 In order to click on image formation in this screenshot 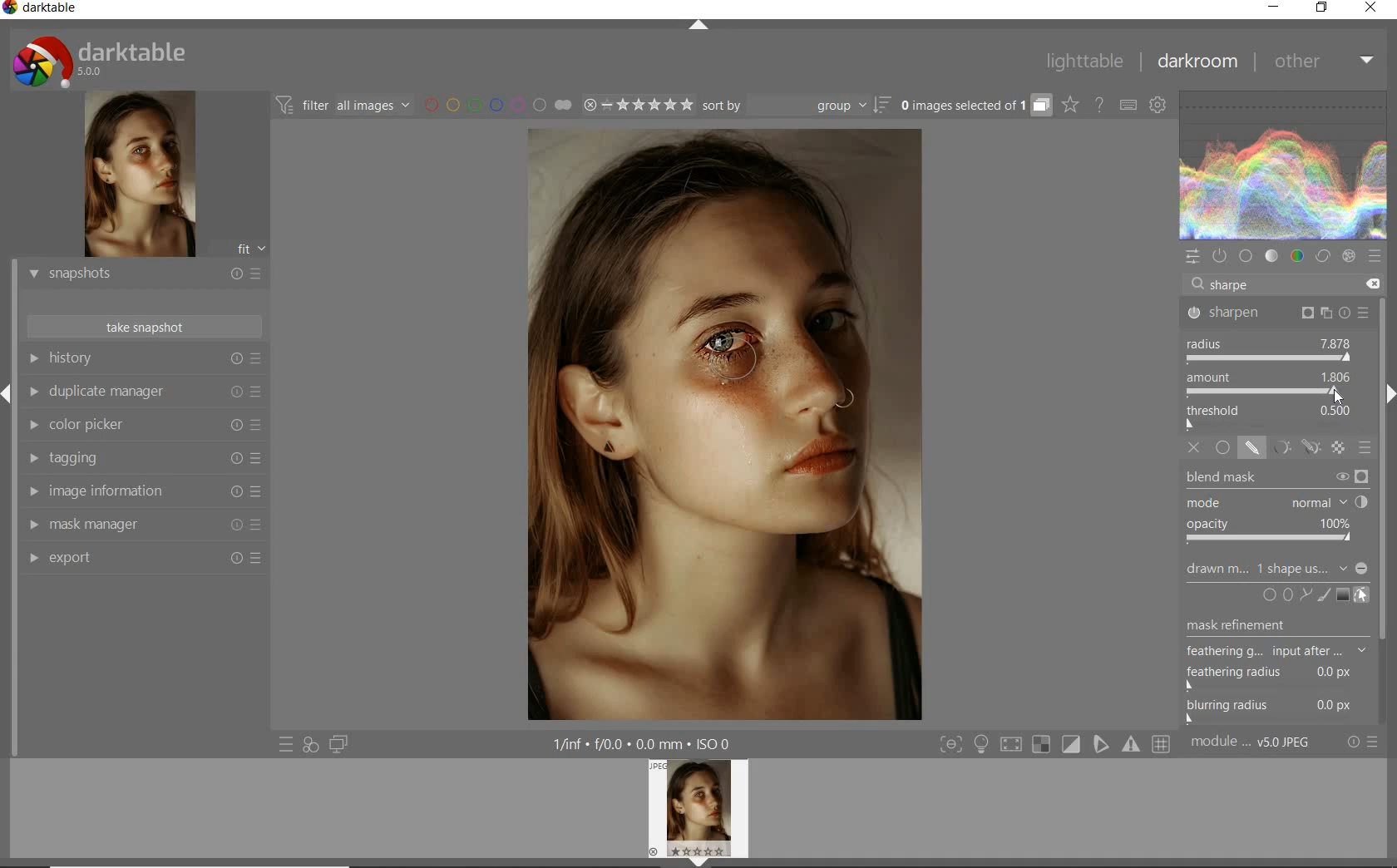, I will do `click(141, 491)`.